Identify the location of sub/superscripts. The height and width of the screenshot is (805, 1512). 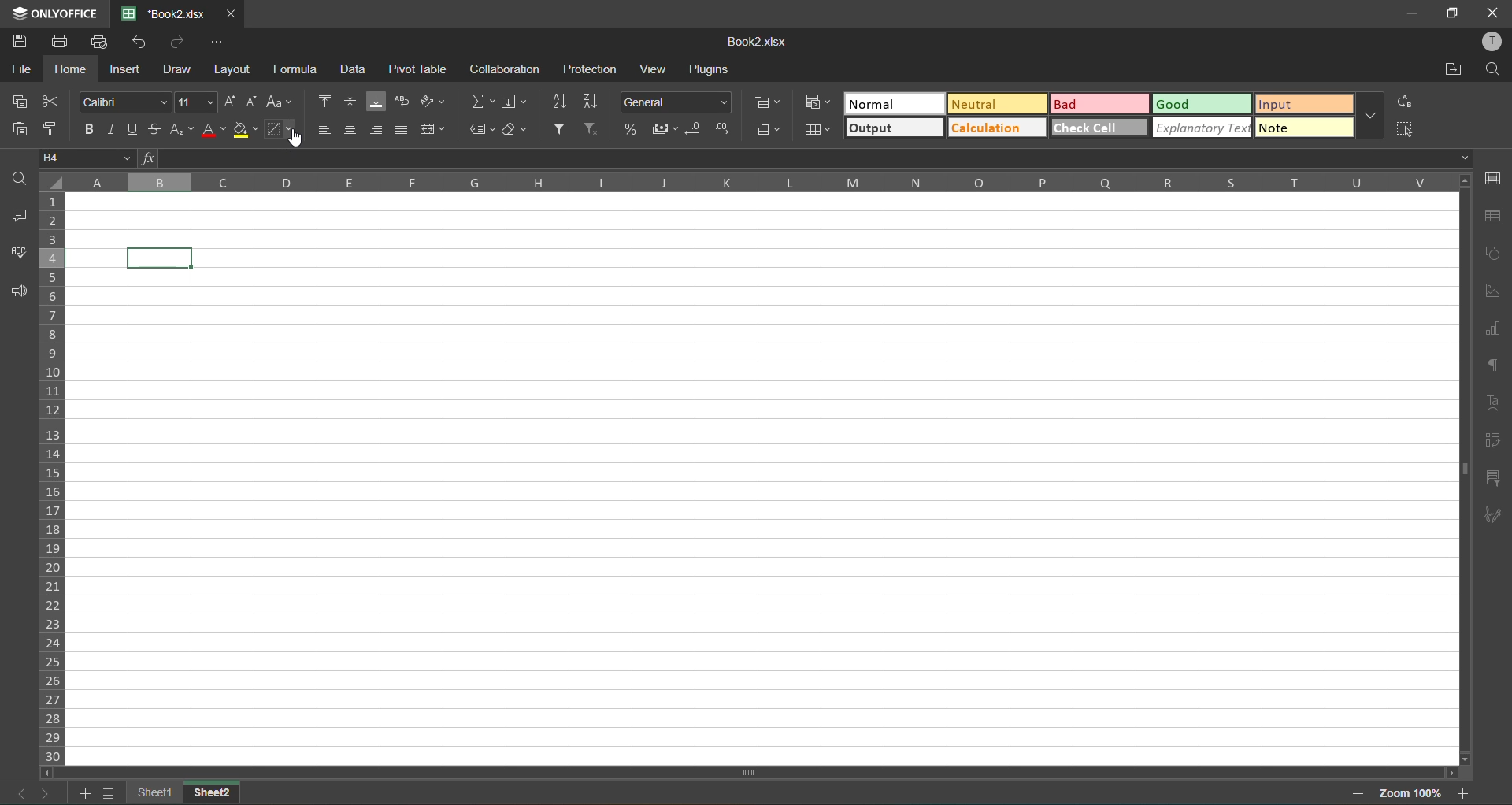
(181, 129).